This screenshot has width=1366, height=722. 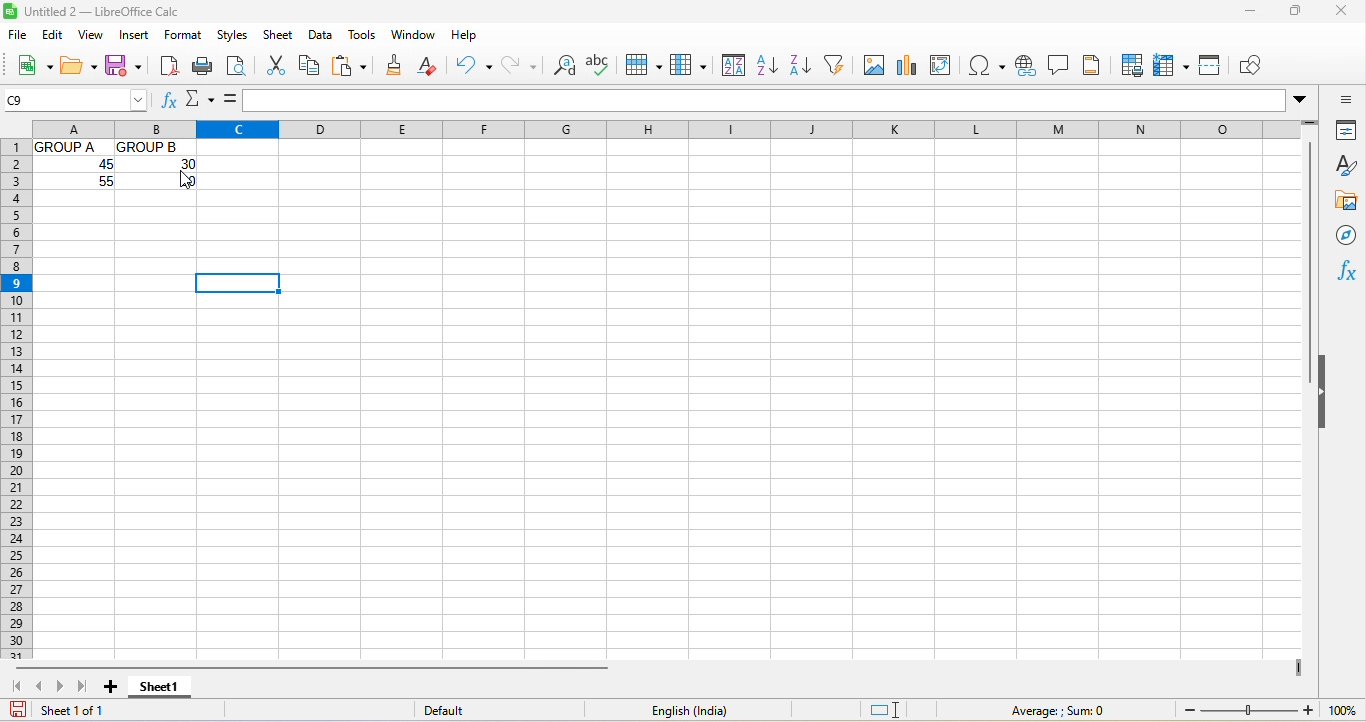 I want to click on Untitled 2-- LibreOffice Calc, so click(x=126, y=12).